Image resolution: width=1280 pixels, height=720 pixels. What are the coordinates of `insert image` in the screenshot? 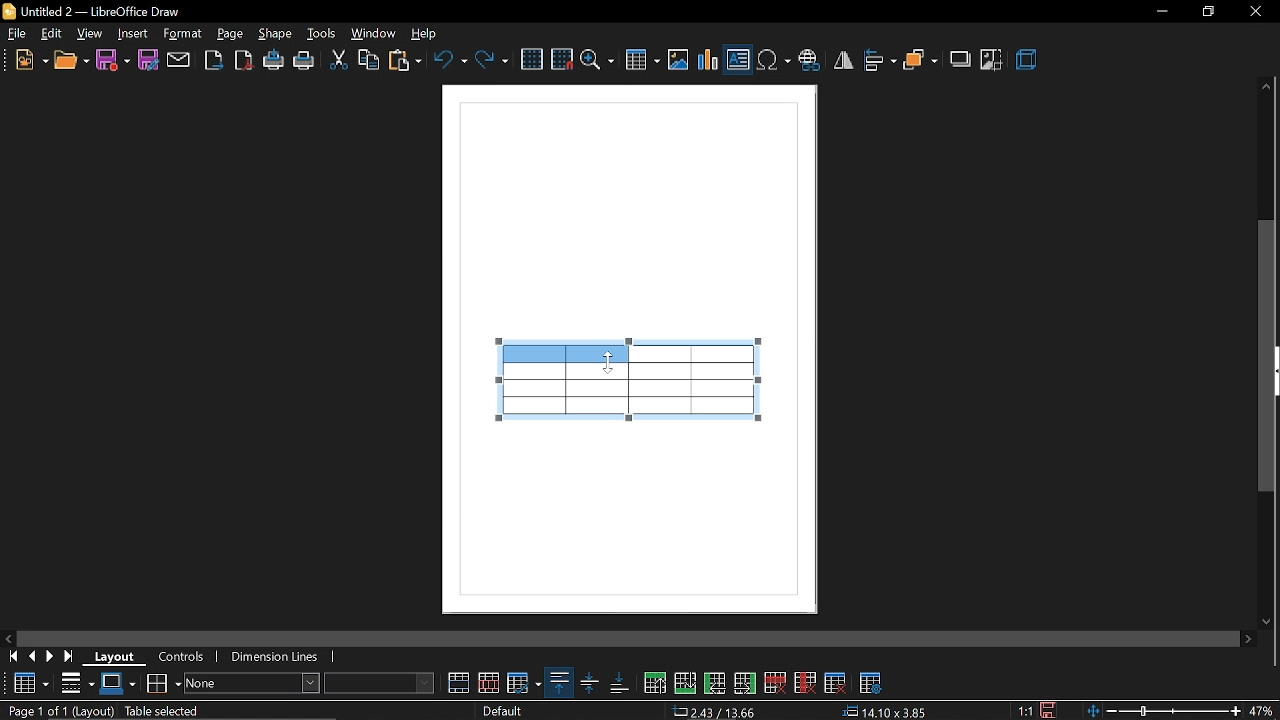 It's located at (677, 58).